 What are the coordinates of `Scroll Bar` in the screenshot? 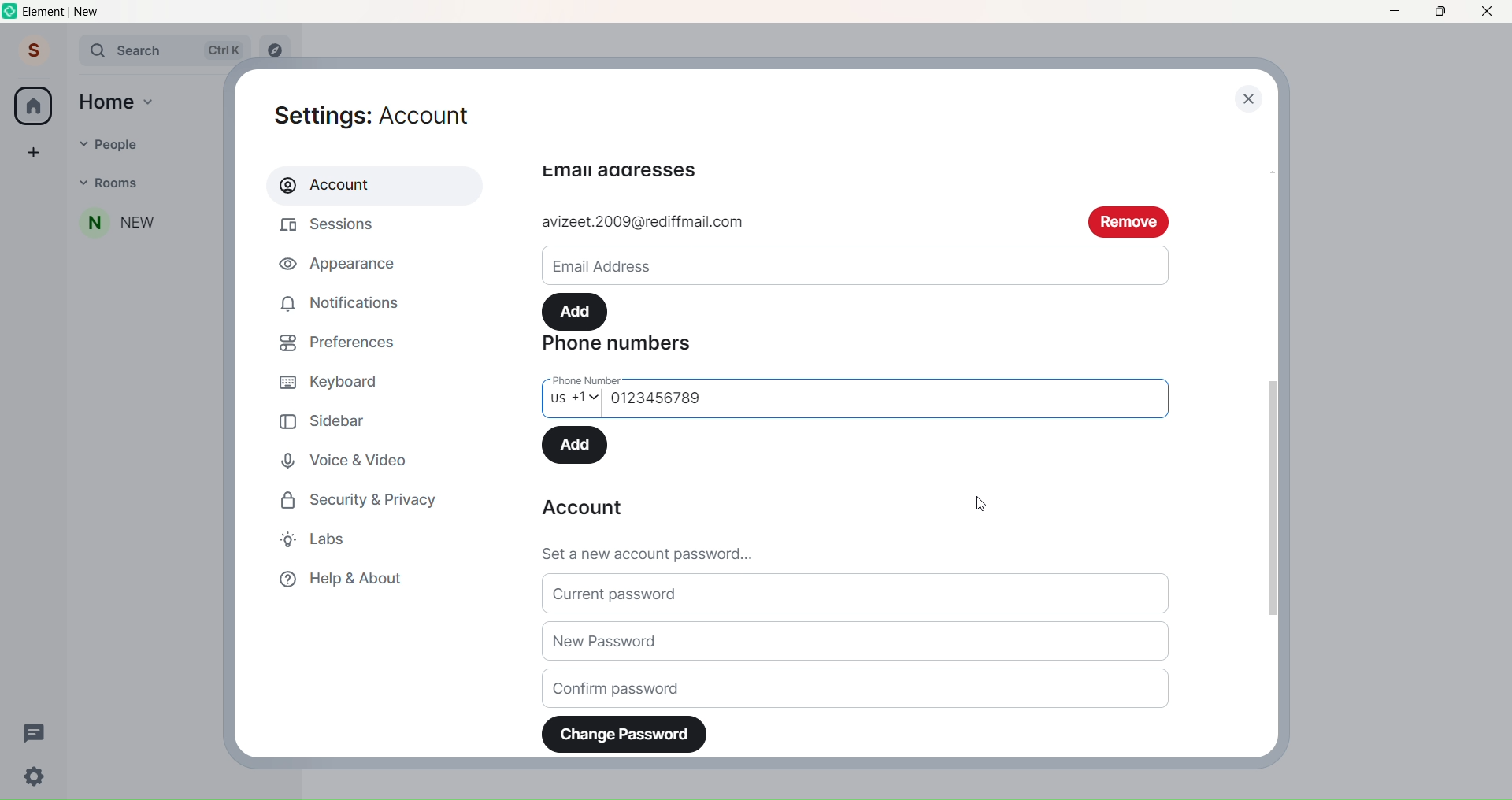 It's located at (1270, 494).